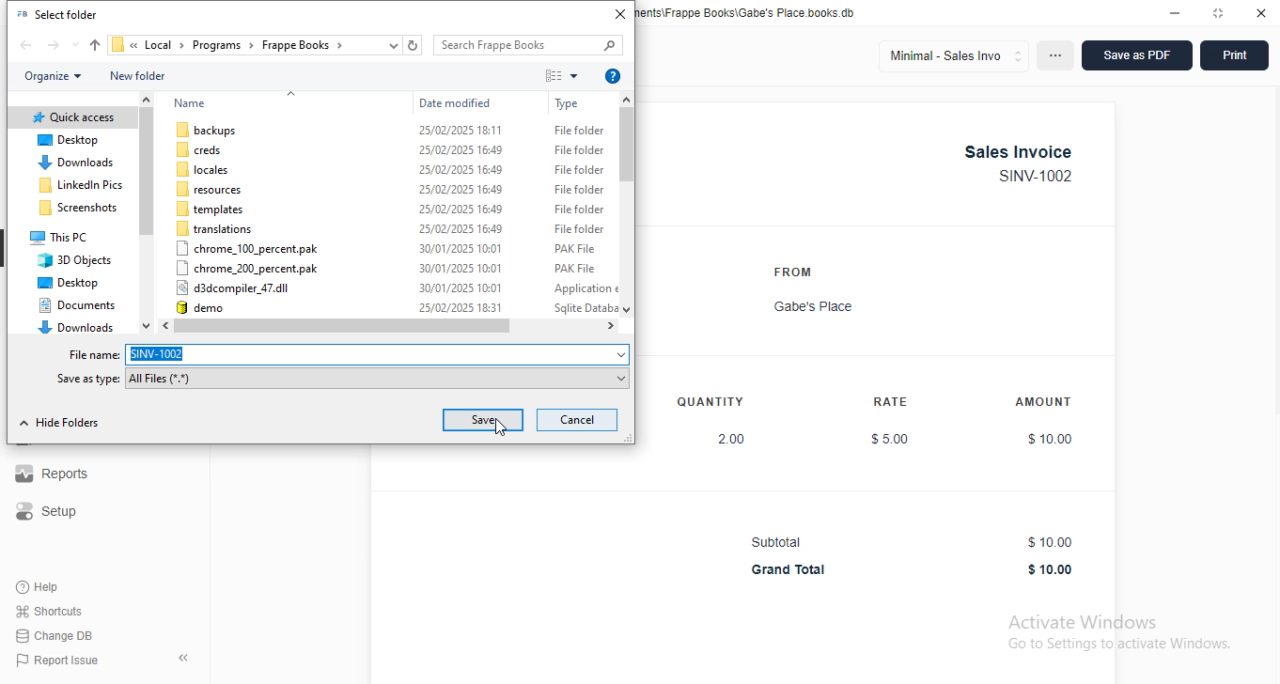  I want to click on setup, so click(47, 511).